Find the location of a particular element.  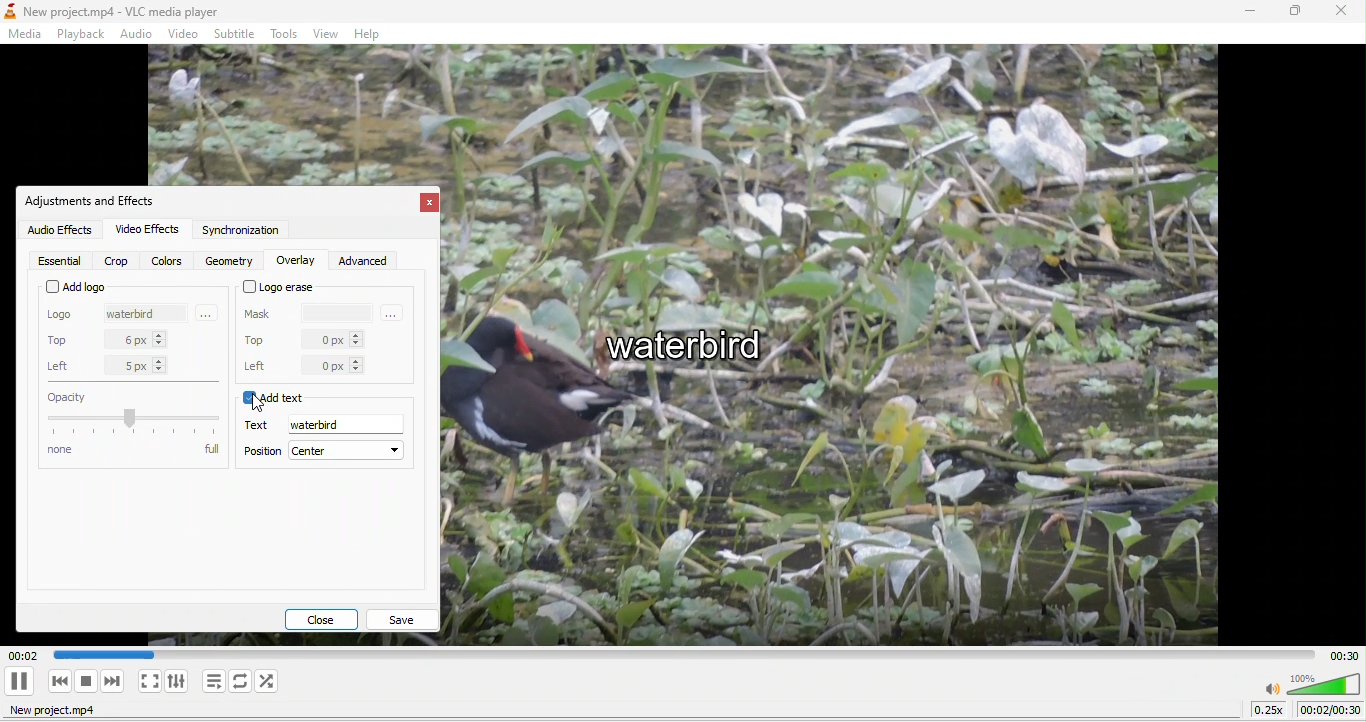

essential is located at coordinates (59, 261).